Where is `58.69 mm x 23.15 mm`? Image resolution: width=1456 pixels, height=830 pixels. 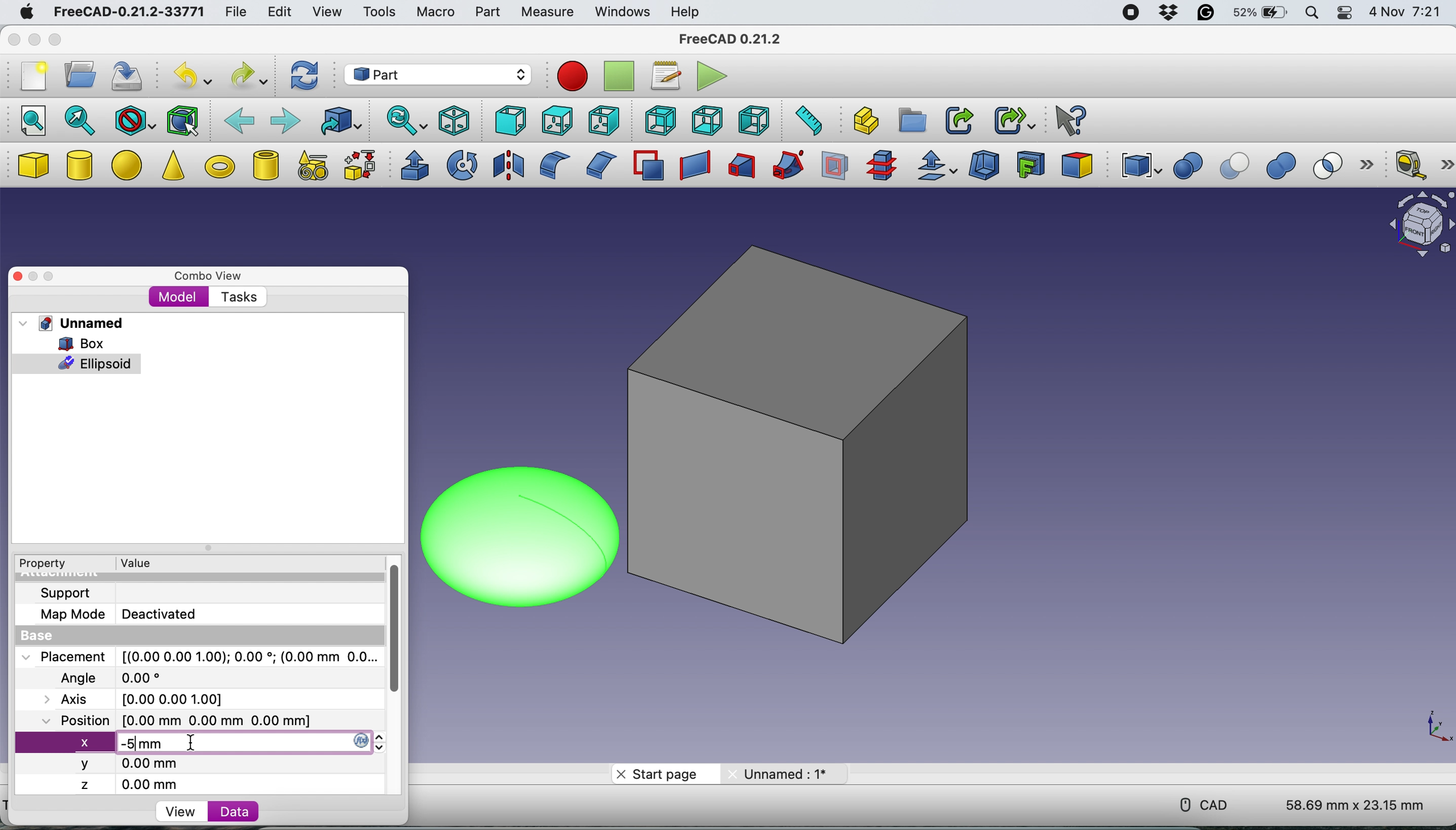
58.69 mm x 23.15 mm is located at coordinates (1357, 806).